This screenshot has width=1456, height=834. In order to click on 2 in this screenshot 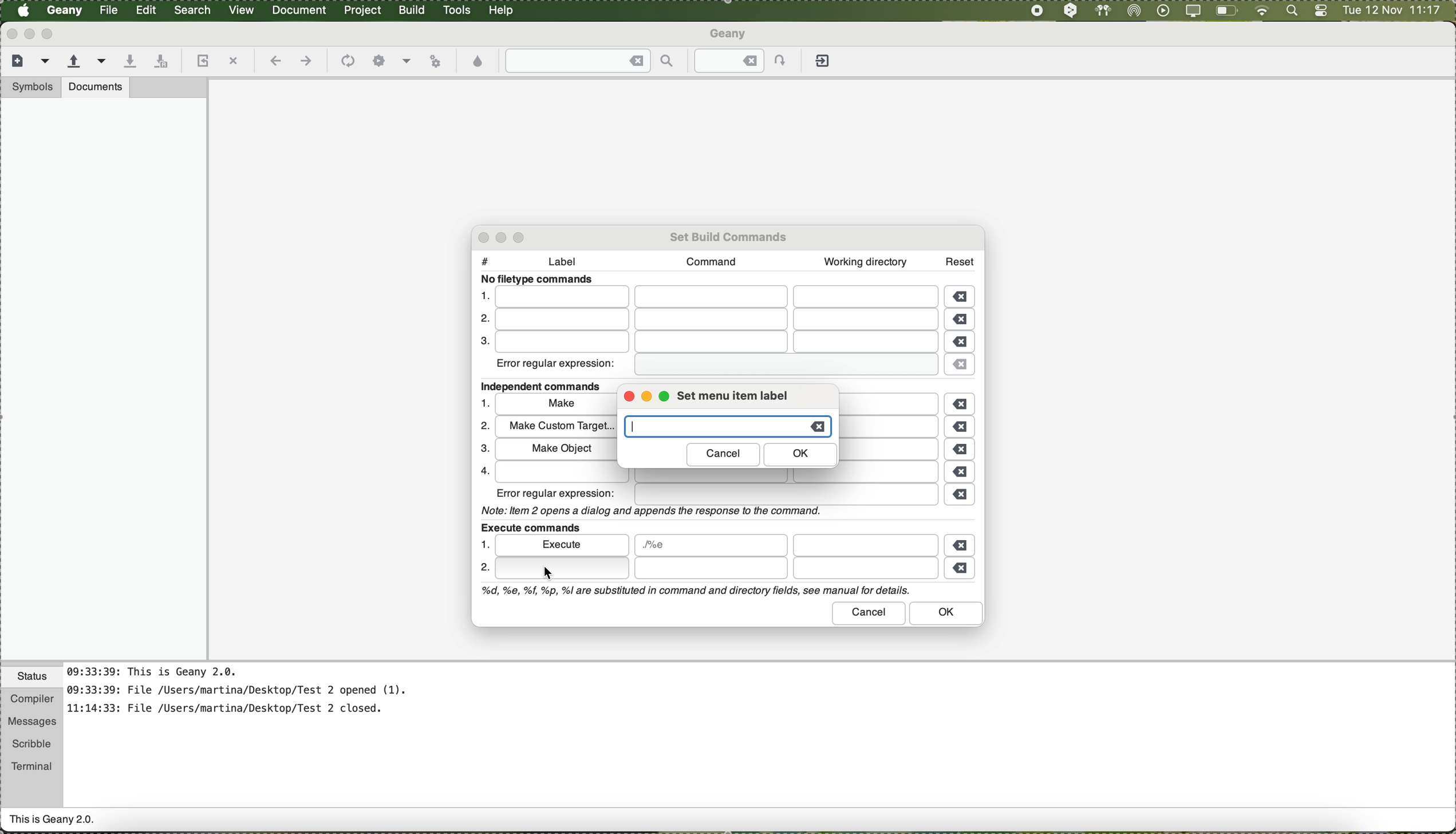, I will do `click(484, 569)`.